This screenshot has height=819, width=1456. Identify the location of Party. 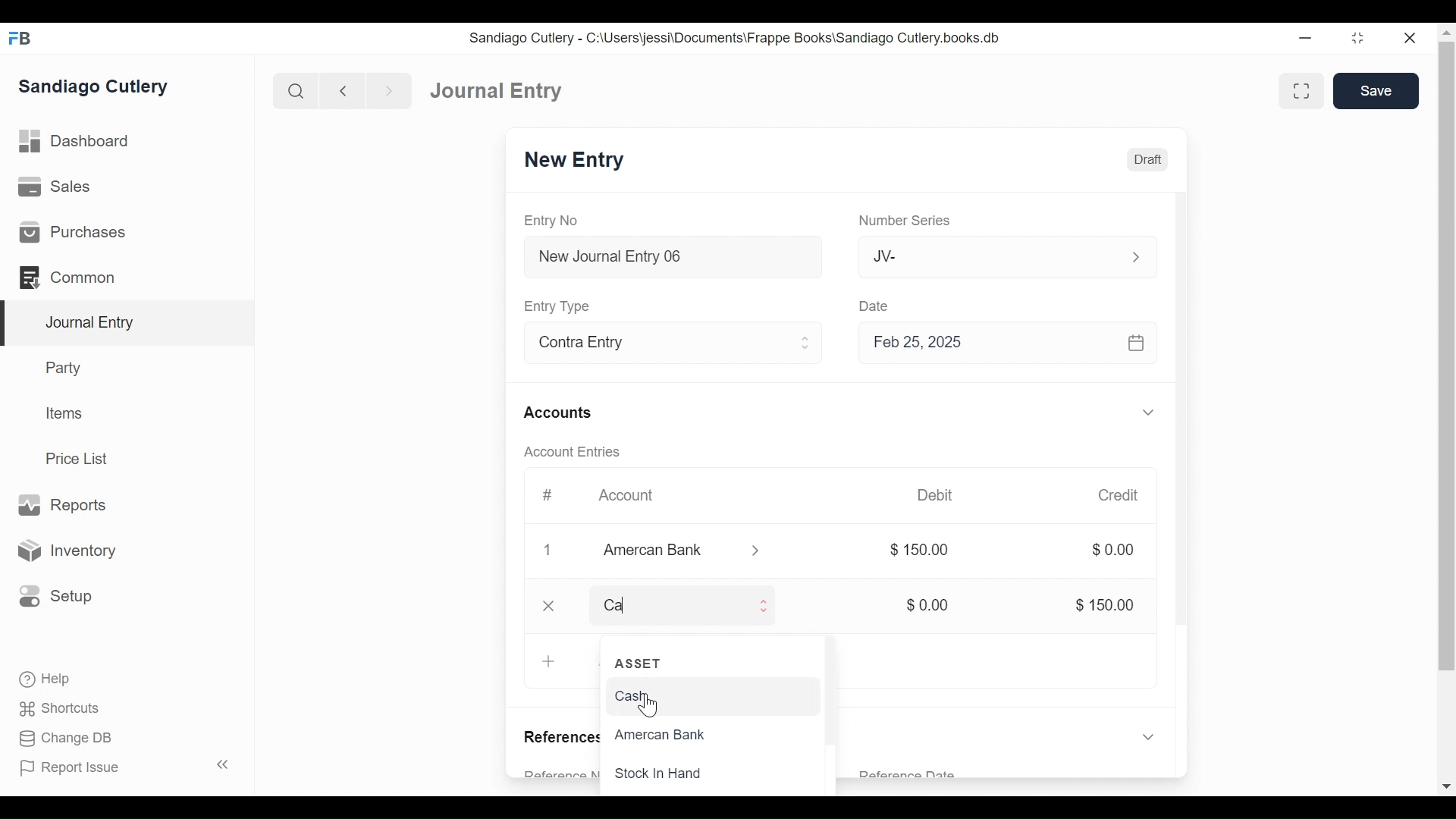
(67, 367).